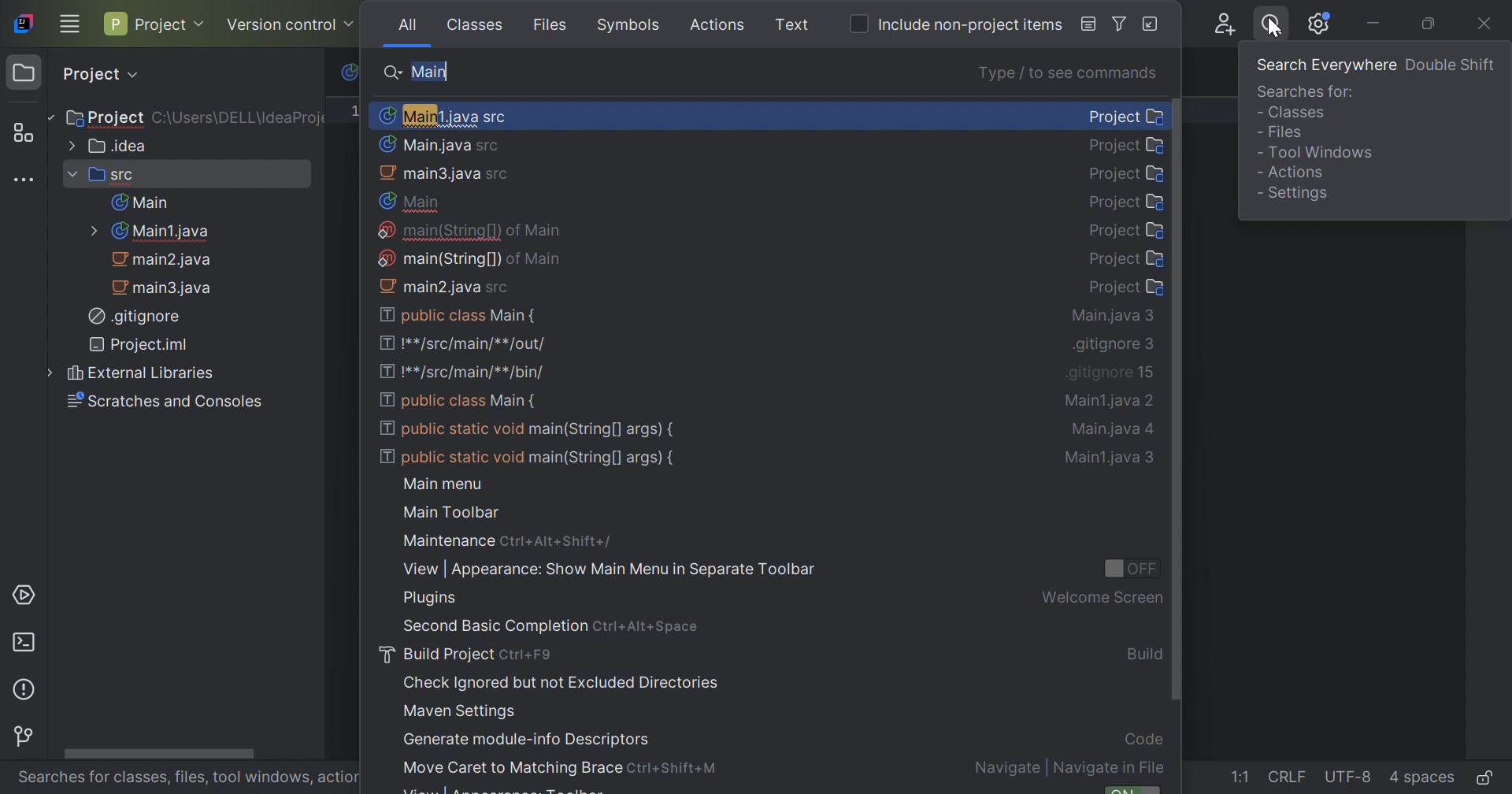 The image size is (1512, 794). Describe the element at coordinates (127, 373) in the screenshot. I see `External Libraries` at that location.